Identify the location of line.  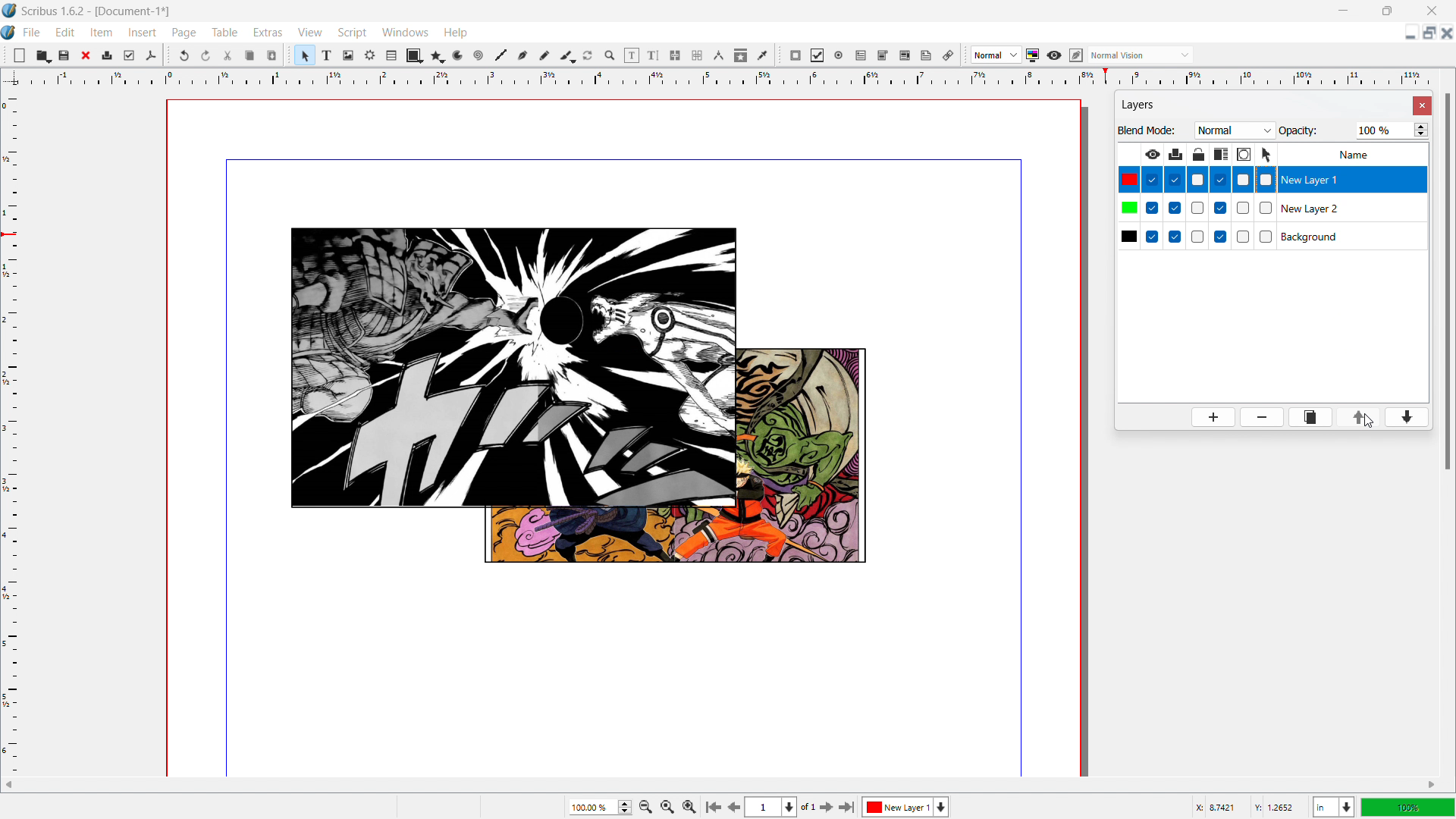
(501, 55).